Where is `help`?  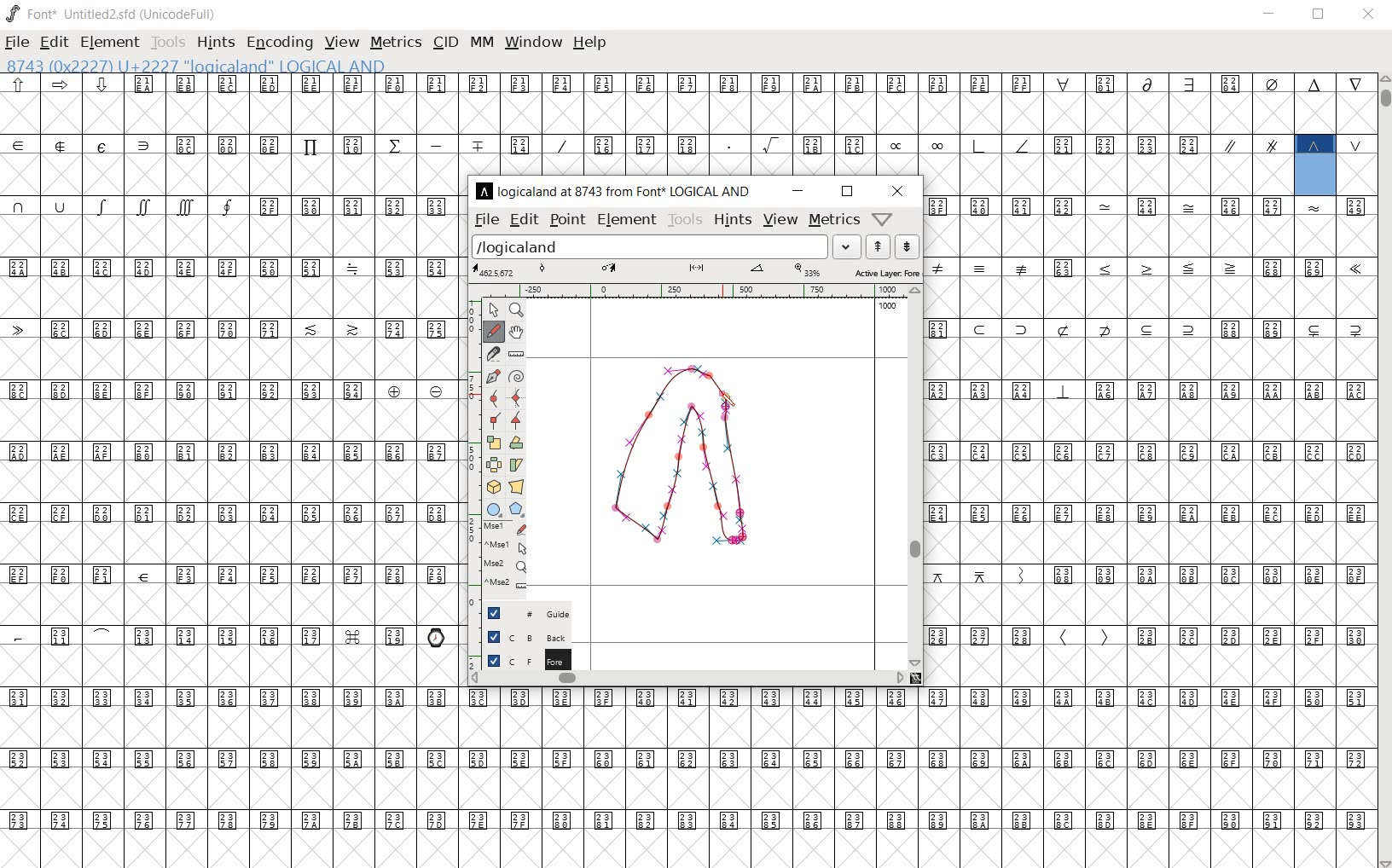 help is located at coordinates (589, 43).